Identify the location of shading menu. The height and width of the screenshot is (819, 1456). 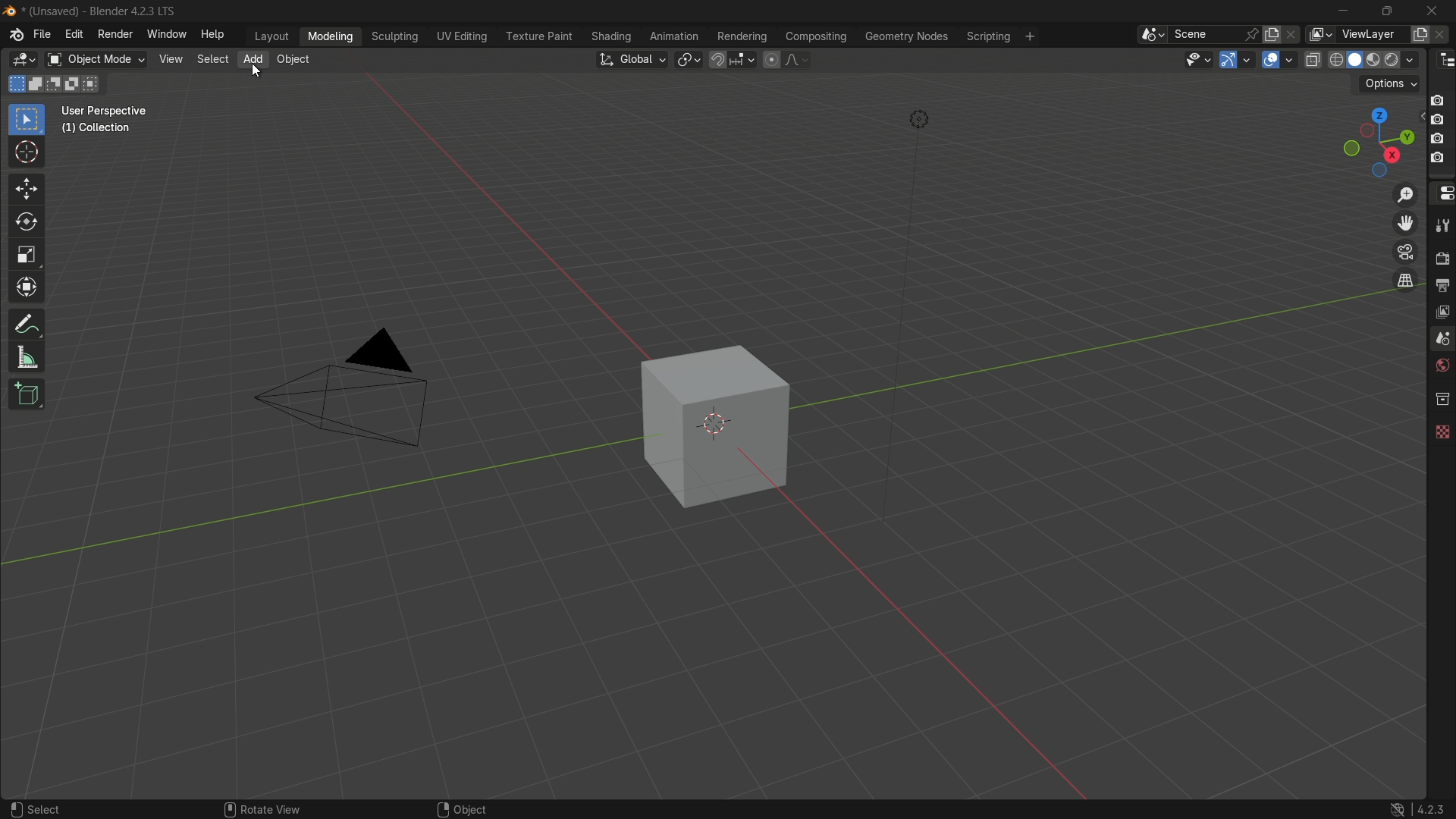
(611, 36).